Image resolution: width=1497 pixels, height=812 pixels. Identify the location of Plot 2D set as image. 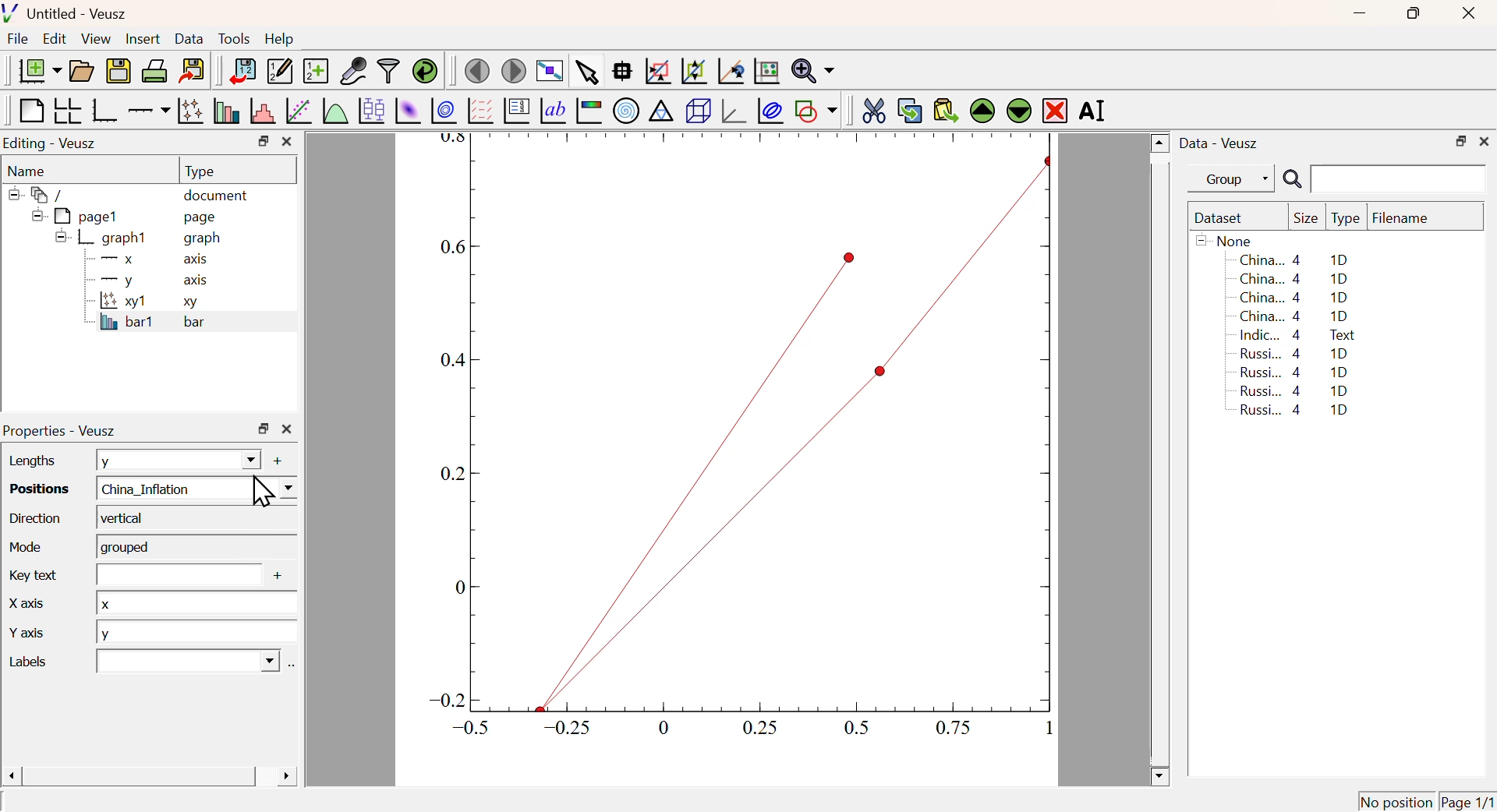
(407, 111).